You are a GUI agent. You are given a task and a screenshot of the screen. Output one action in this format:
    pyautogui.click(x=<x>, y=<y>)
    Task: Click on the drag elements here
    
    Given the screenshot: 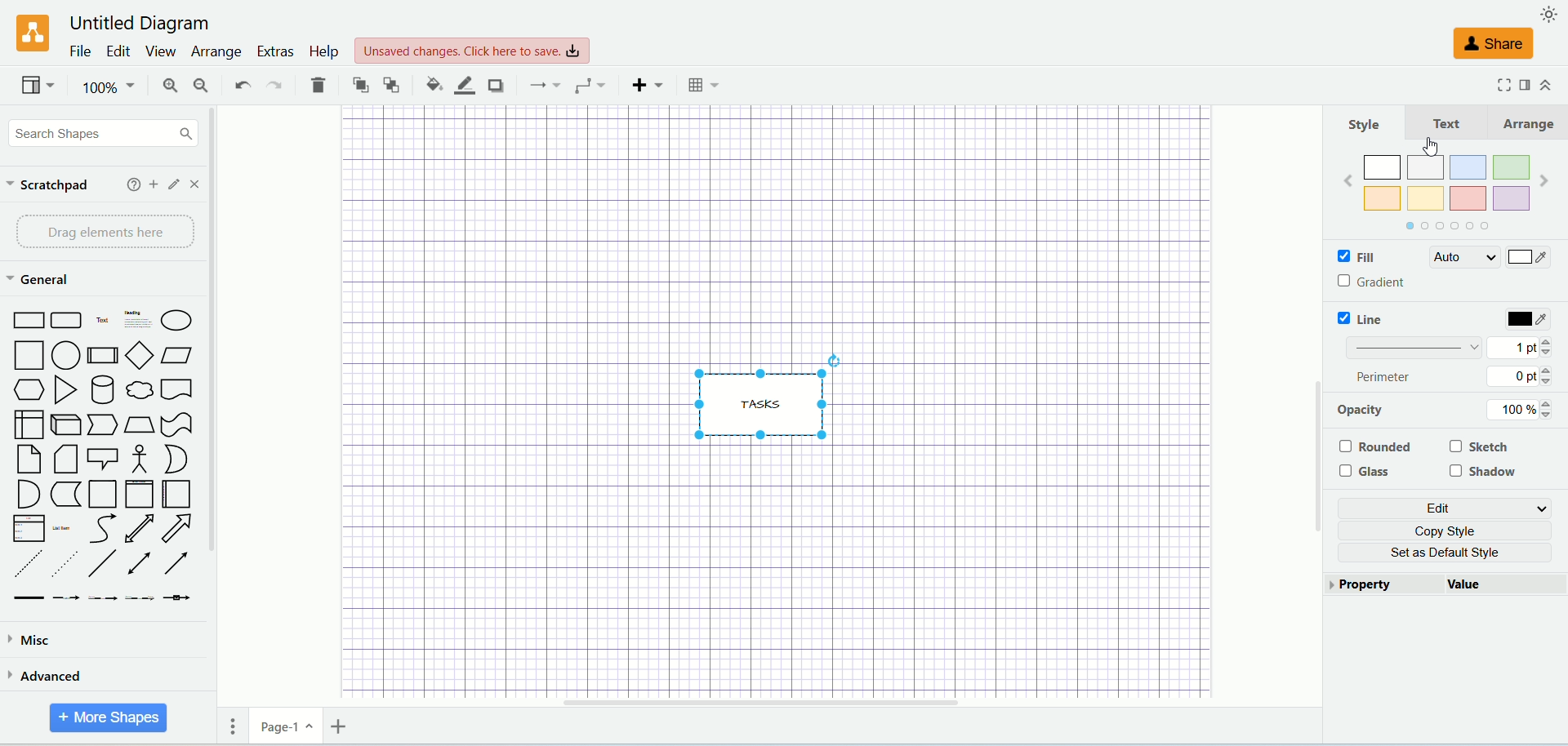 What is the action you would take?
    pyautogui.click(x=100, y=233)
    